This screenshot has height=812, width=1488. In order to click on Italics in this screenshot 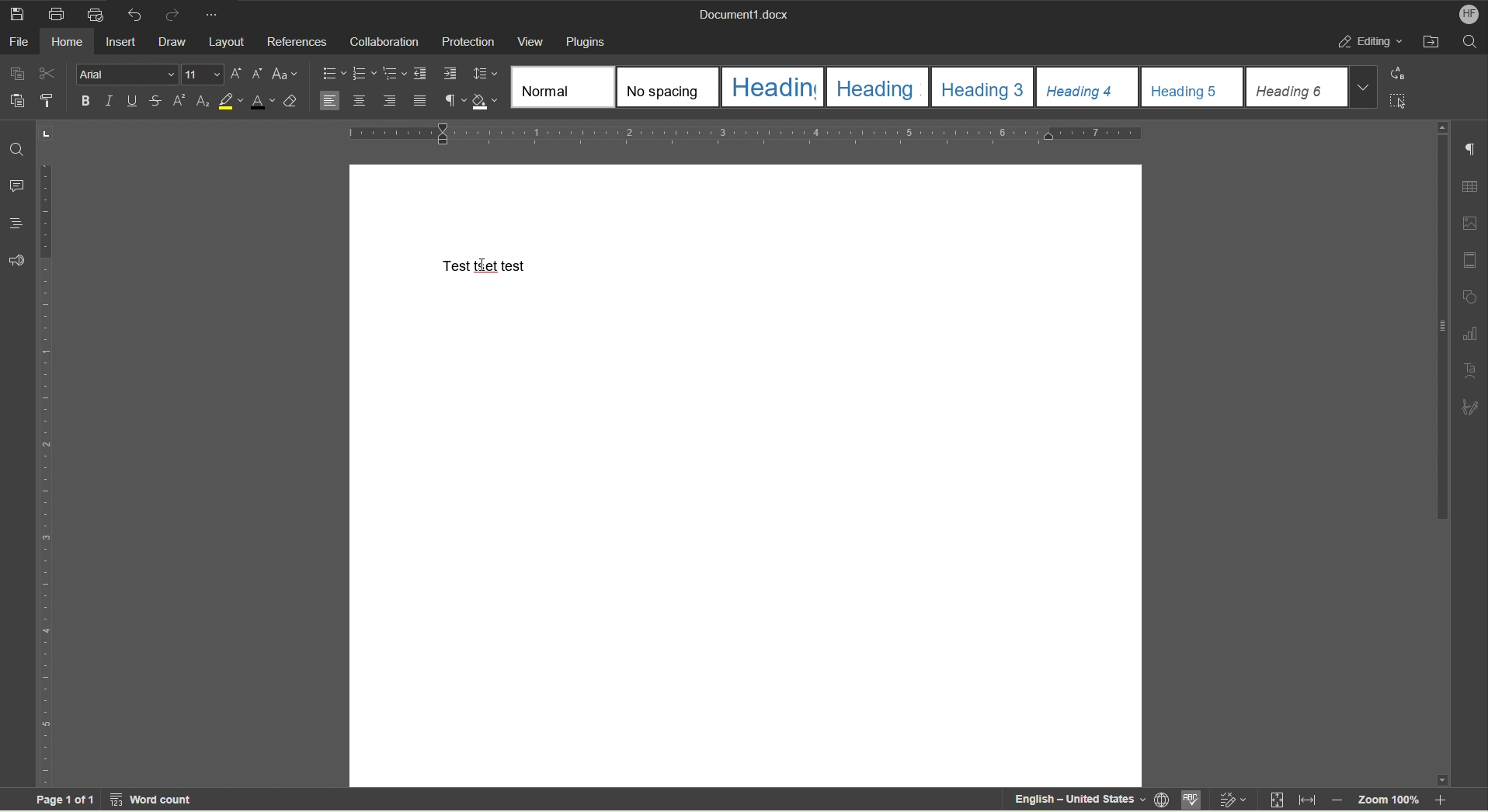, I will do `click(110, 102)`.